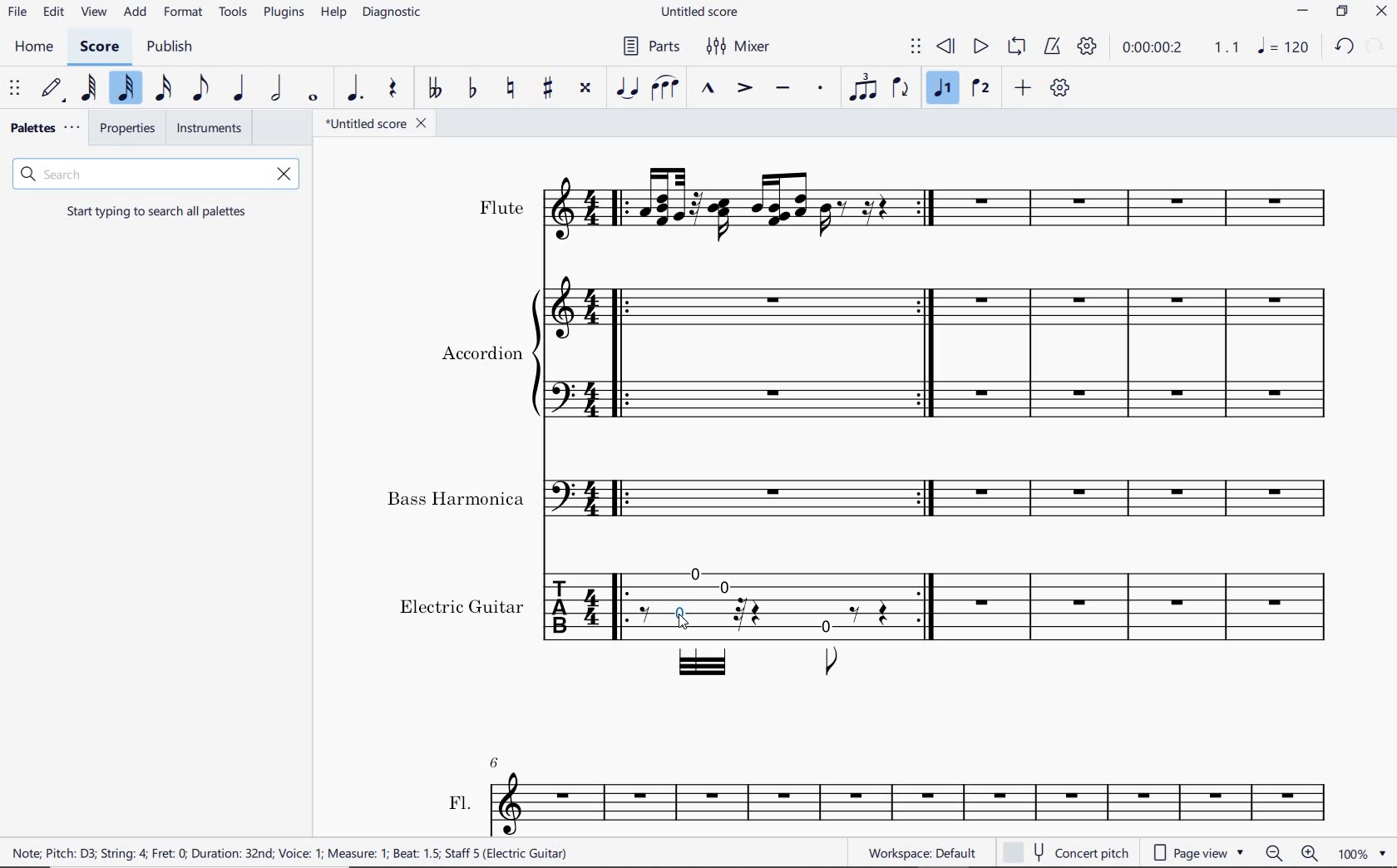 This screenshot has width=1397, height=868. What do you see at coordinates (943, 87) in the screenshot?
I see `voice1` at bounding box center [943, 87].